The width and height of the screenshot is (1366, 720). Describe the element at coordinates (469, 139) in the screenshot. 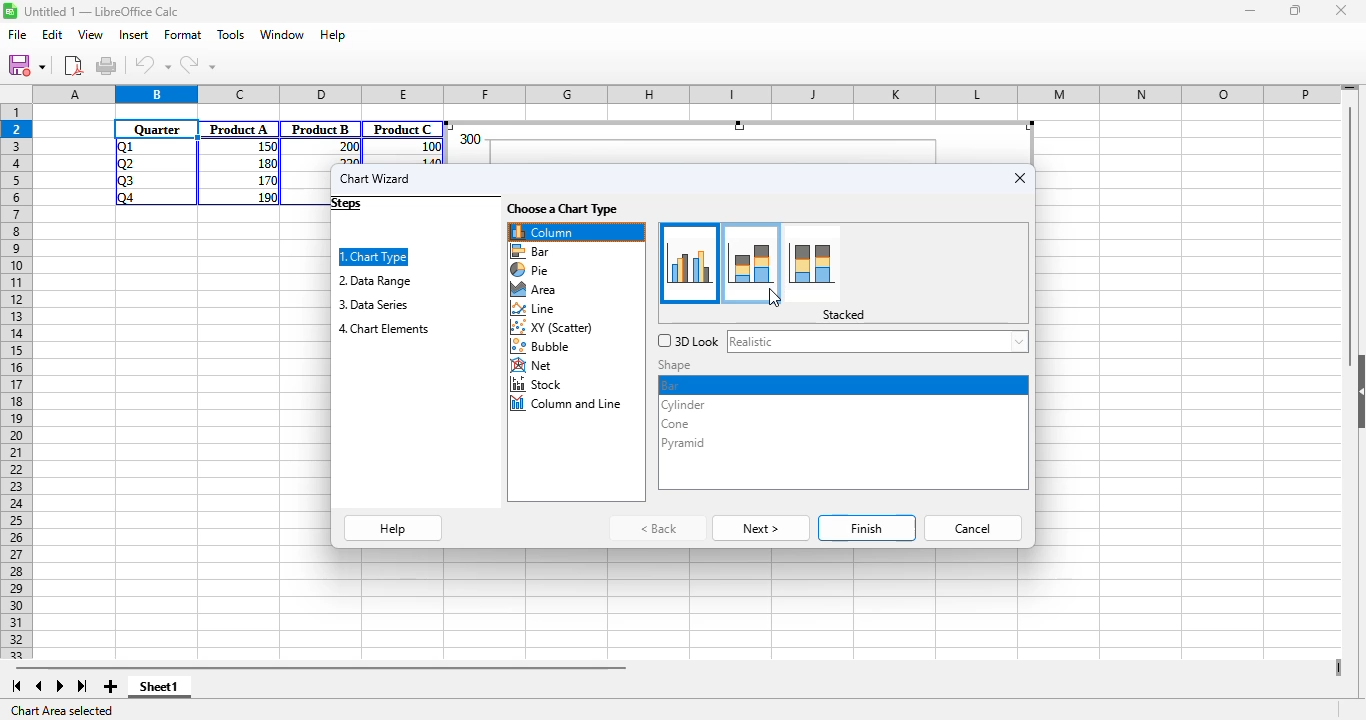

I see `300` at that location.